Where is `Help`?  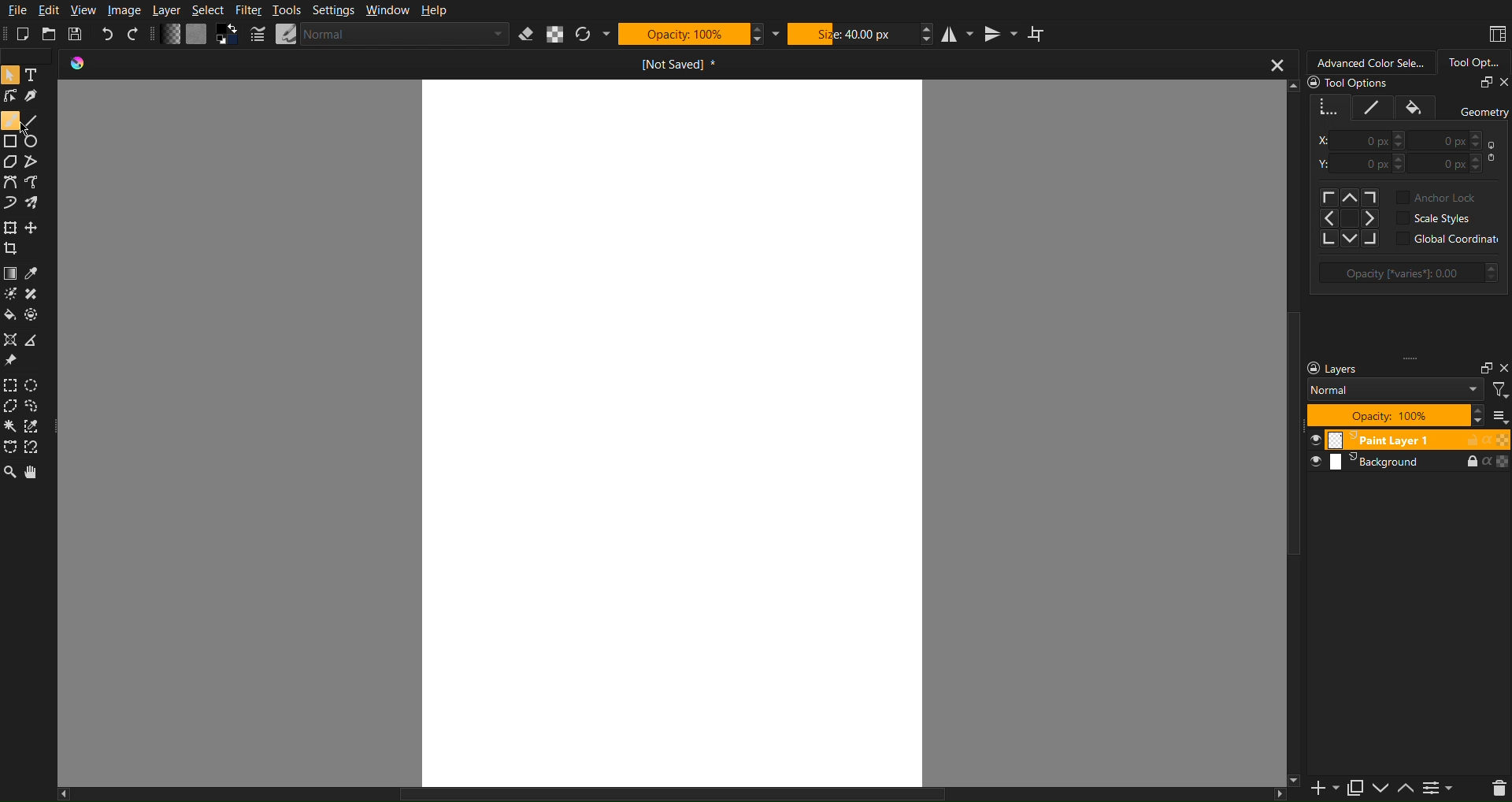 Help is located at coordinates (435, 9).